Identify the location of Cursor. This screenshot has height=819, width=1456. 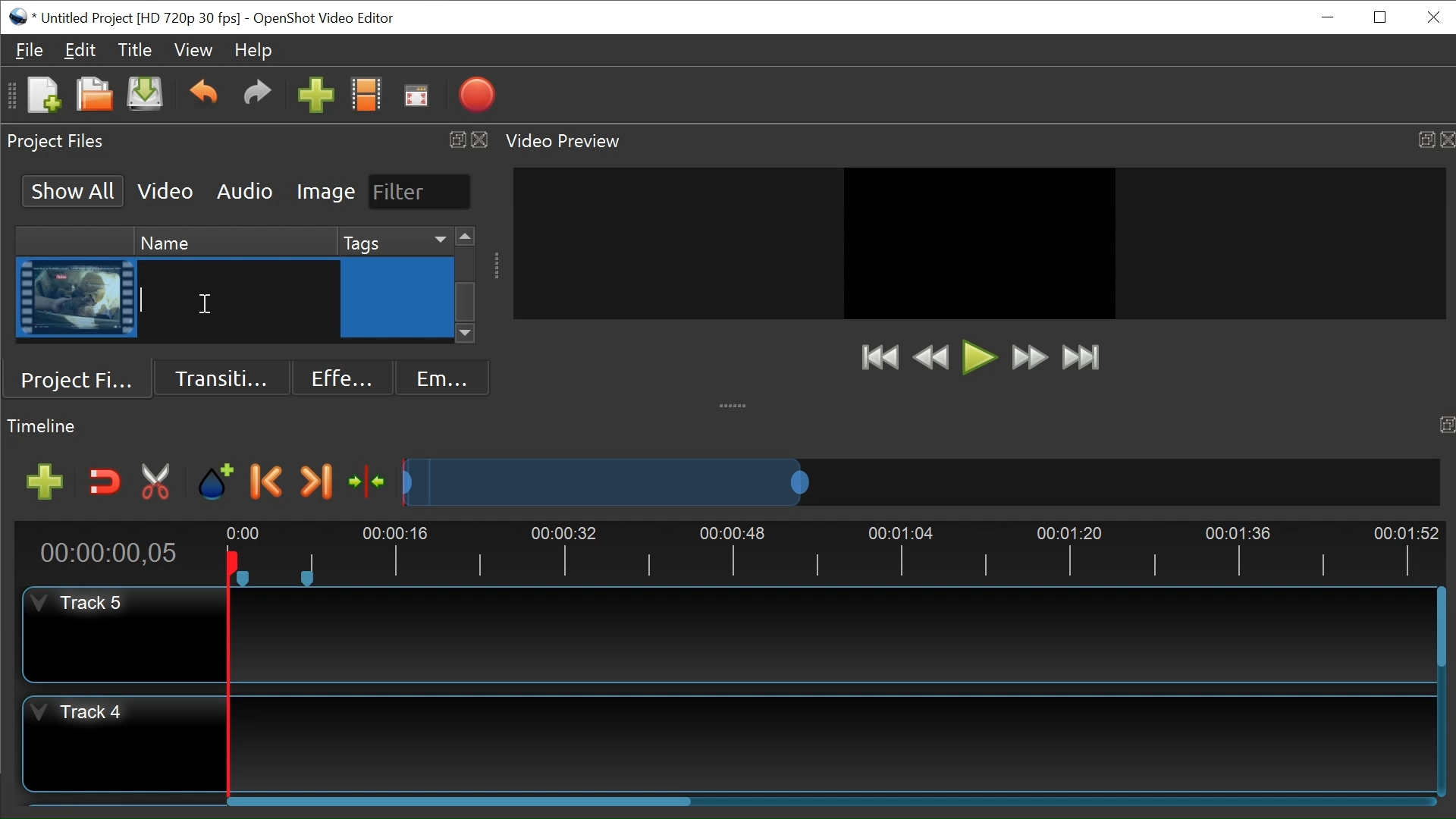
(399, 300).